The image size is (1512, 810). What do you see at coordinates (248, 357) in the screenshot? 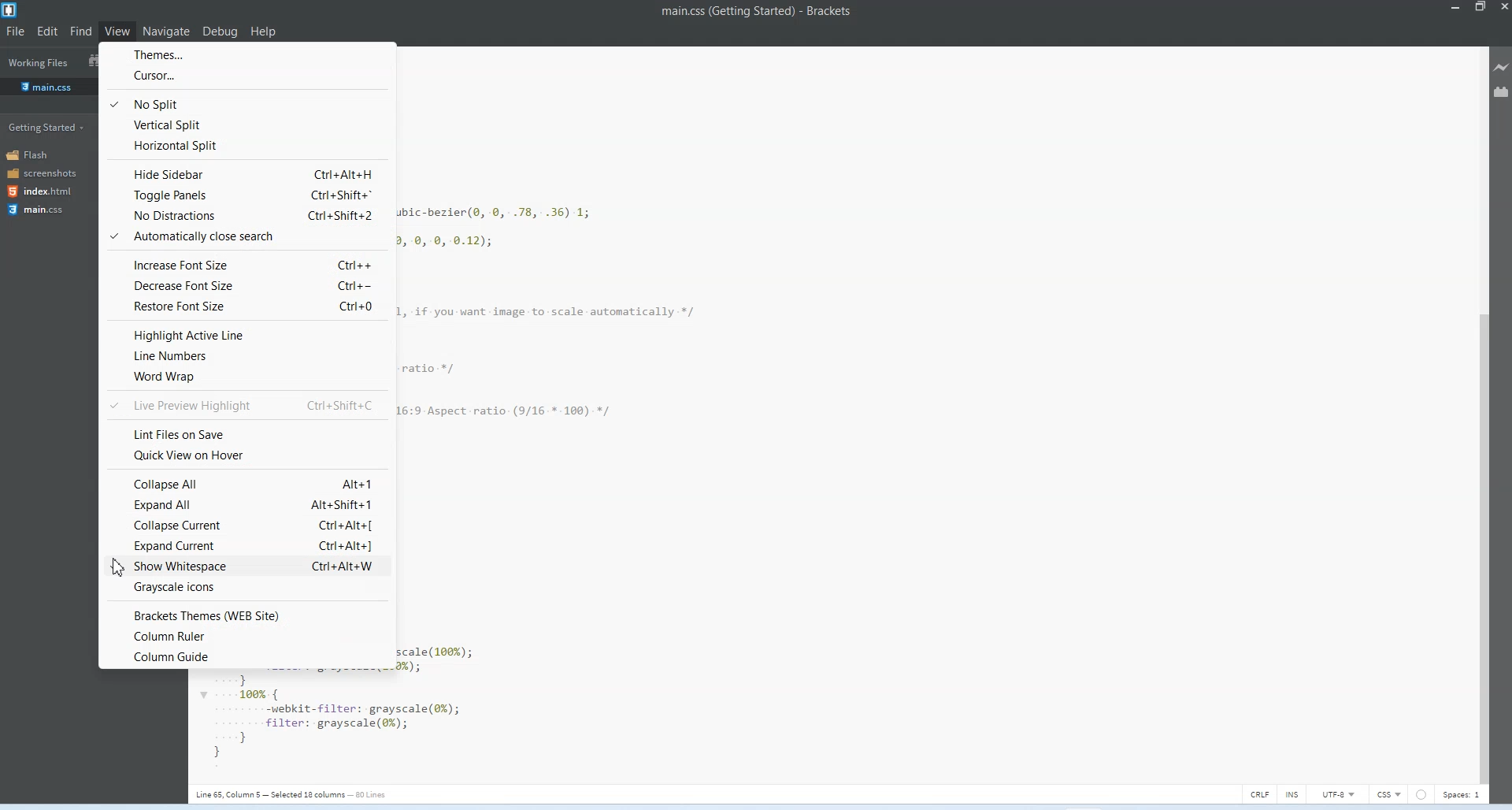
I see `Line numbers` at bounding box center [248, 357].